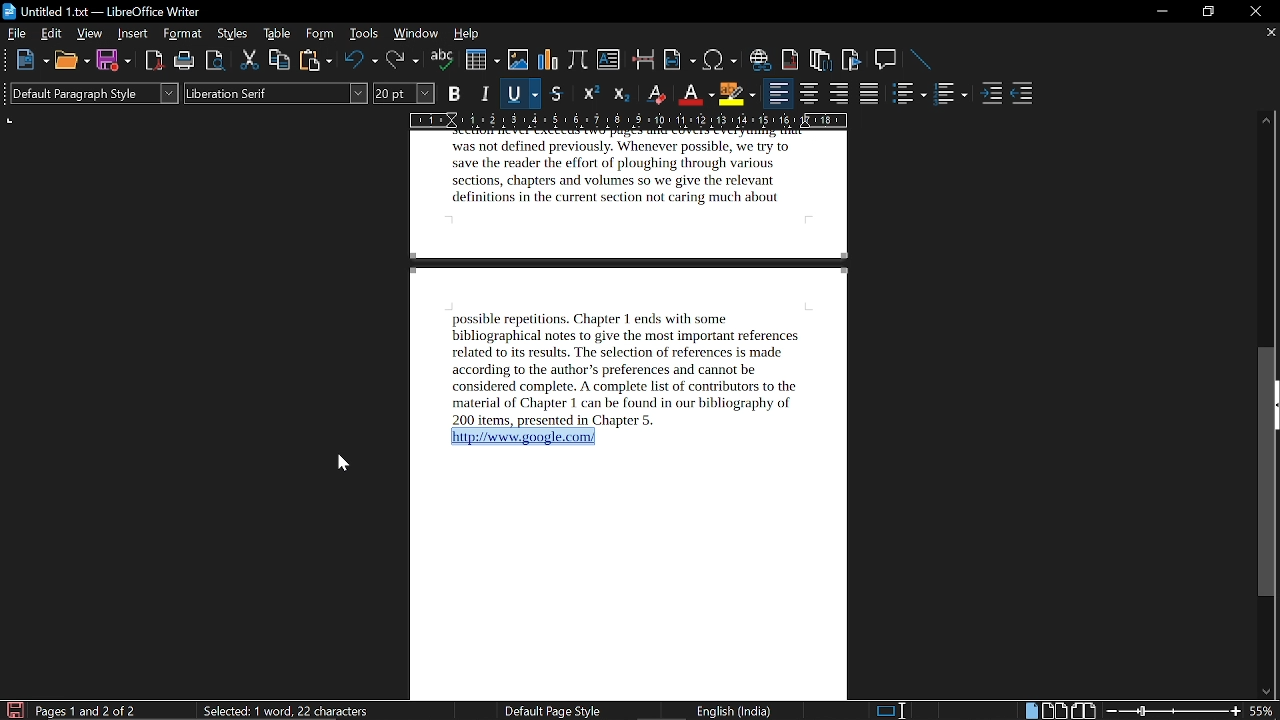 The width and height of the screenshot is (1280, 720). Describe the element at coordinates (545, 711) in the screenshot. I see `page style` at that location.